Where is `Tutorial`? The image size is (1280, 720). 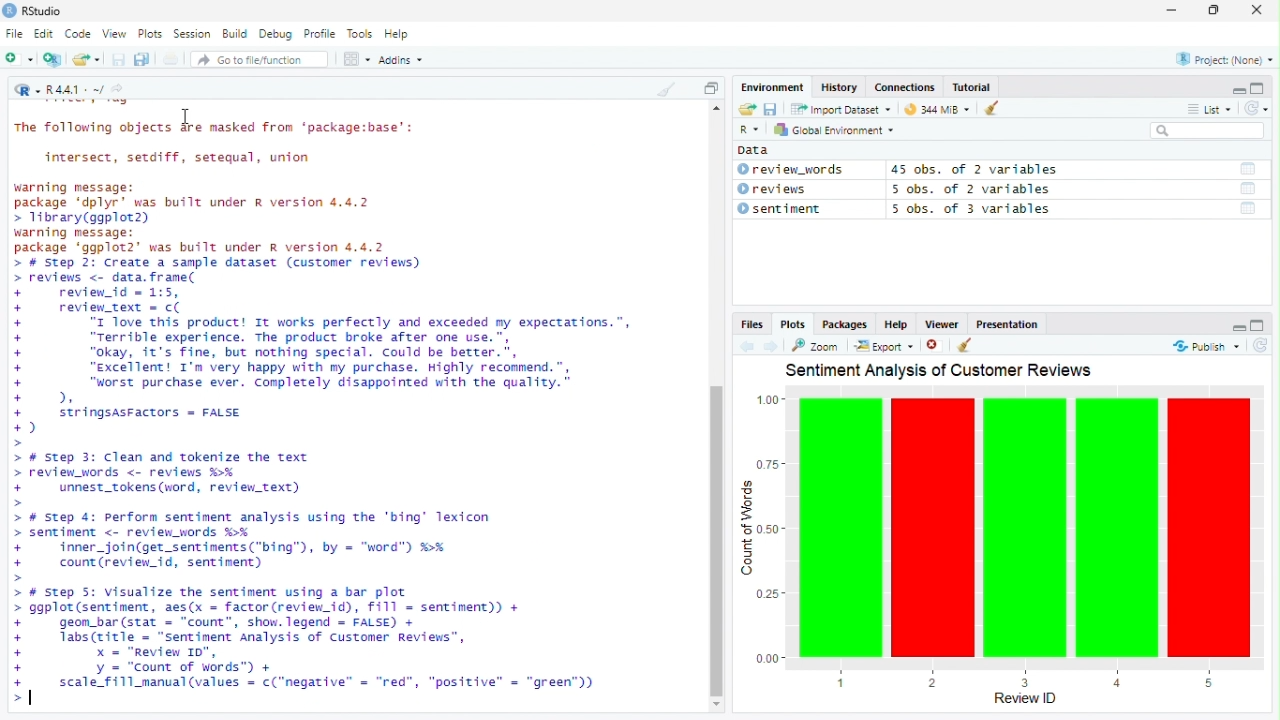
Tutorial is located at coordinates (972, 87).